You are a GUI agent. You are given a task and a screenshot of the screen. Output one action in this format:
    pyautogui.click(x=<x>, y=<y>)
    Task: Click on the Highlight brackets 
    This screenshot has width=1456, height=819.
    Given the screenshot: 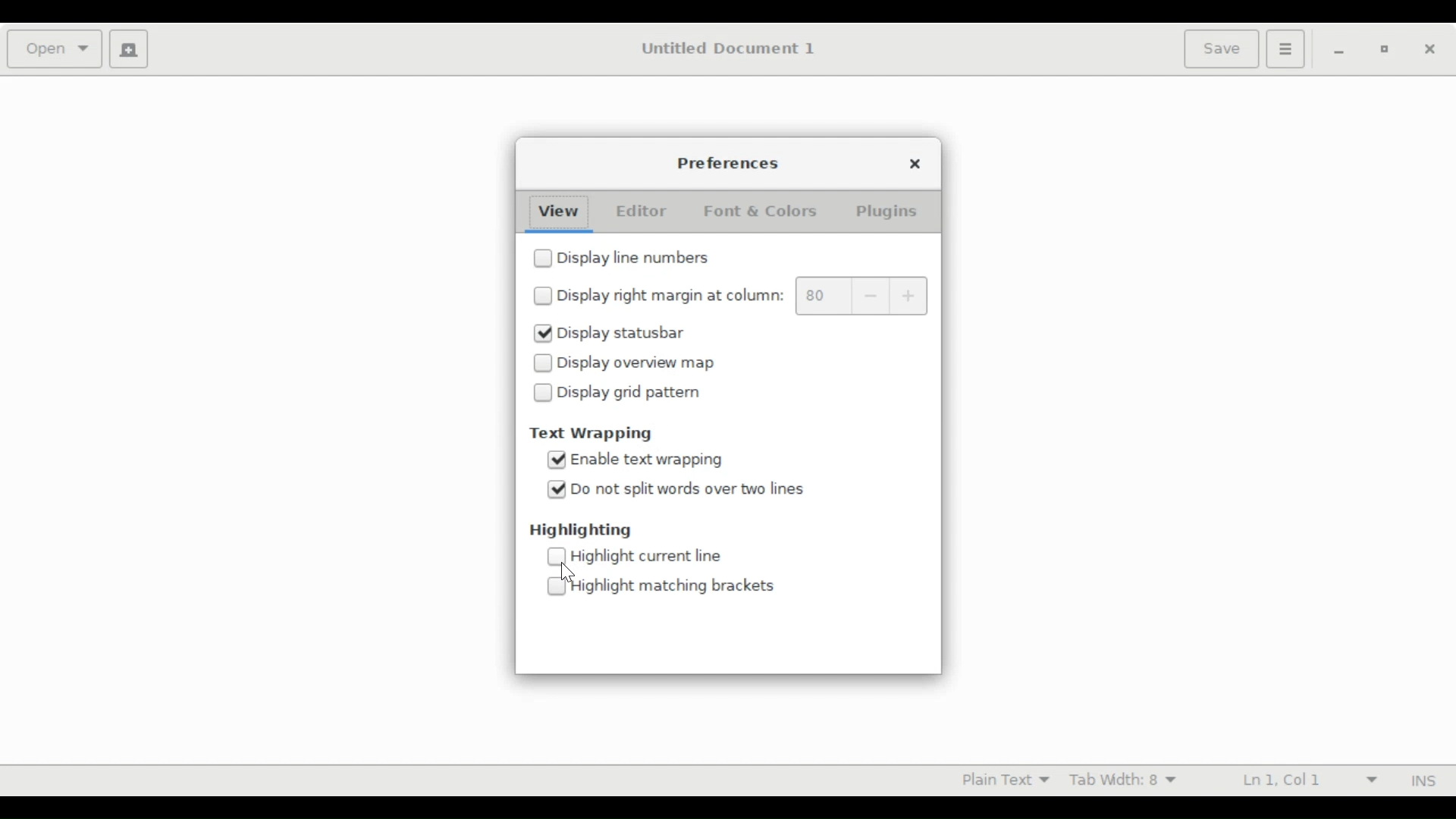 What is the action you would take?
    pyautogui.click(x=673, y=588)
    